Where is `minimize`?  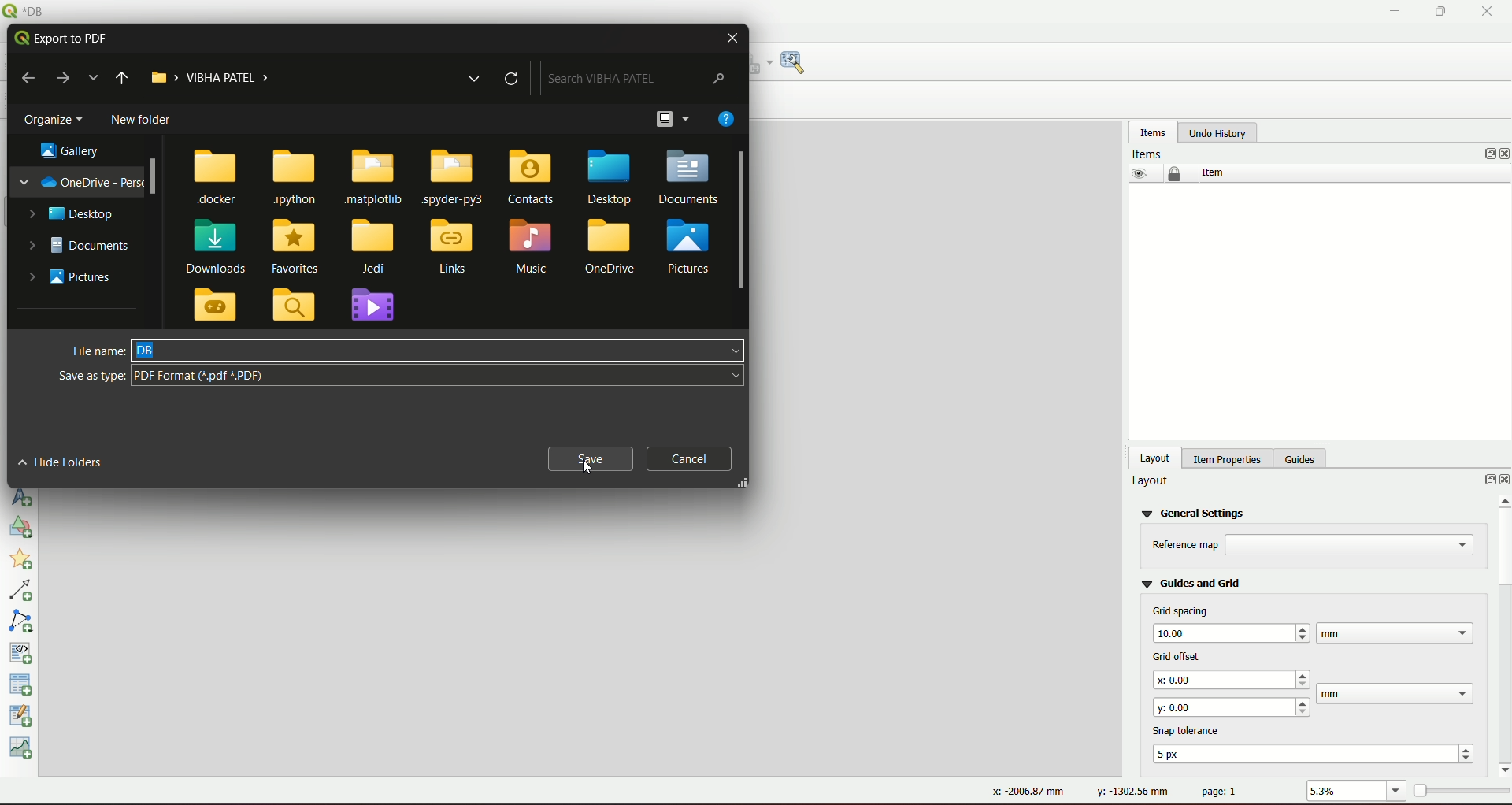 minimize is located at coordinates (1393, 12).